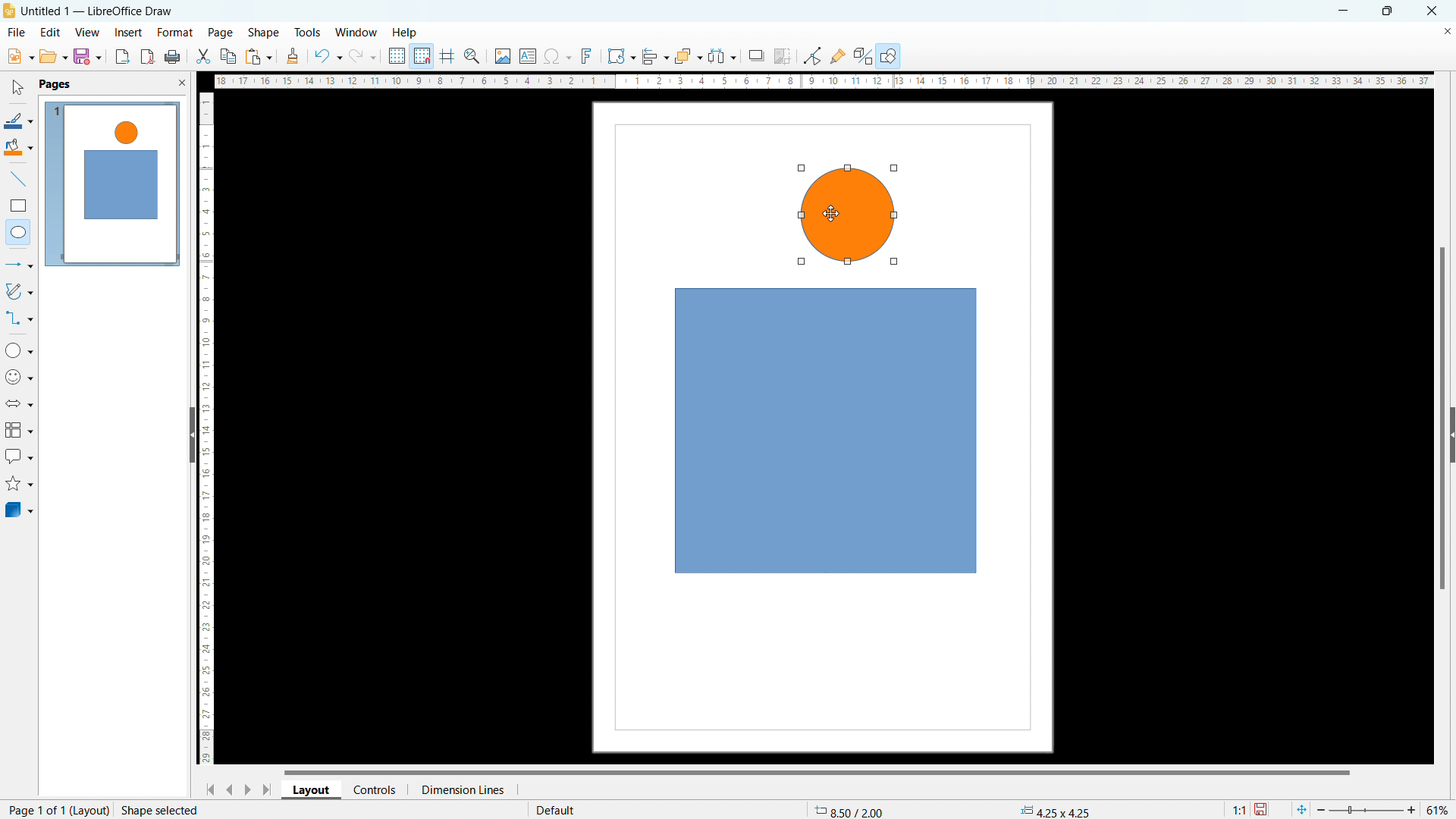 The image size is (1456, 819). Describe the element at coordinates (1237, 808) in the screenshot. I see `scaling factor` at that location.